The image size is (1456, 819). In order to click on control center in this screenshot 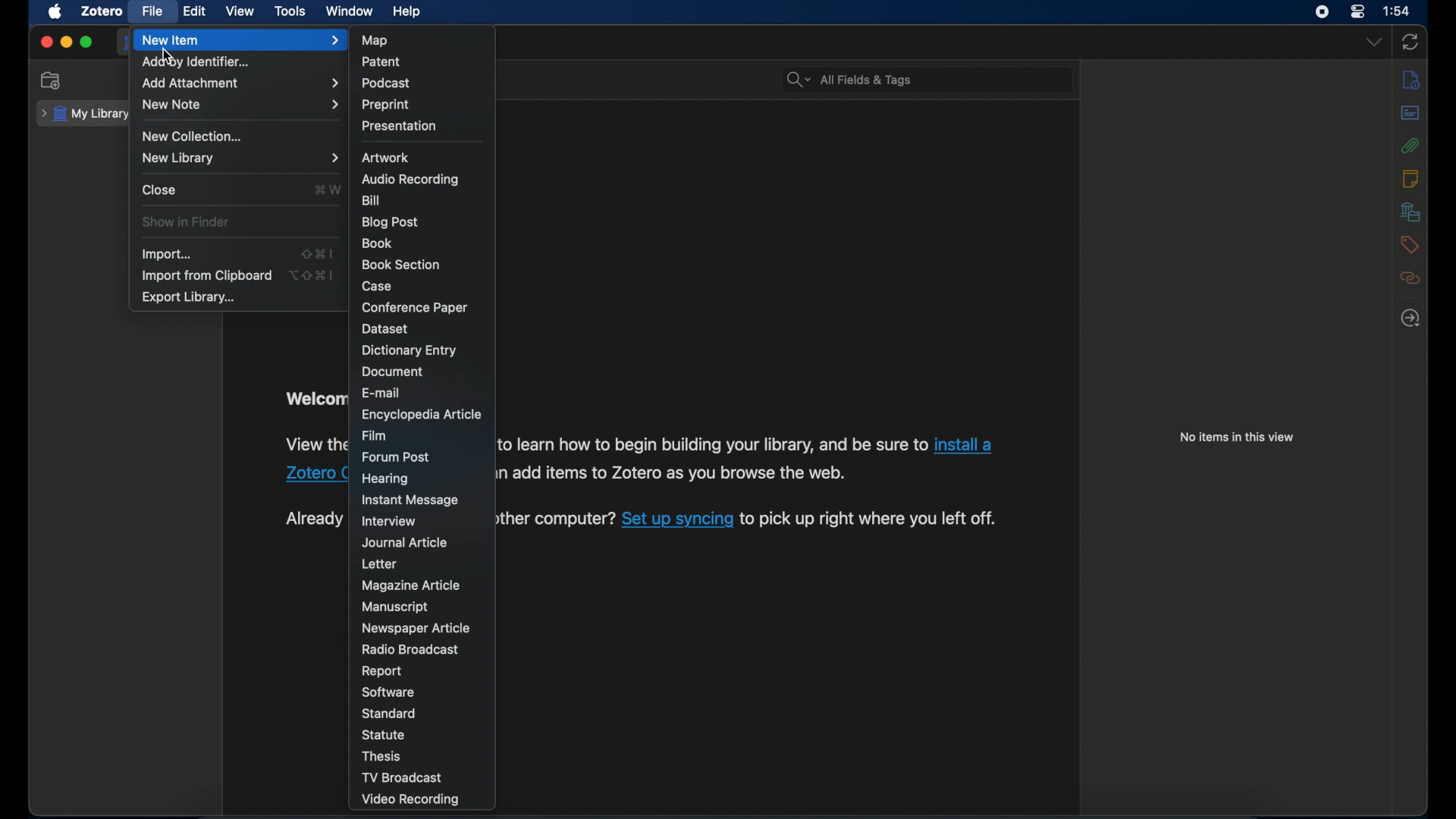, I will do `click(1357, 12)`.